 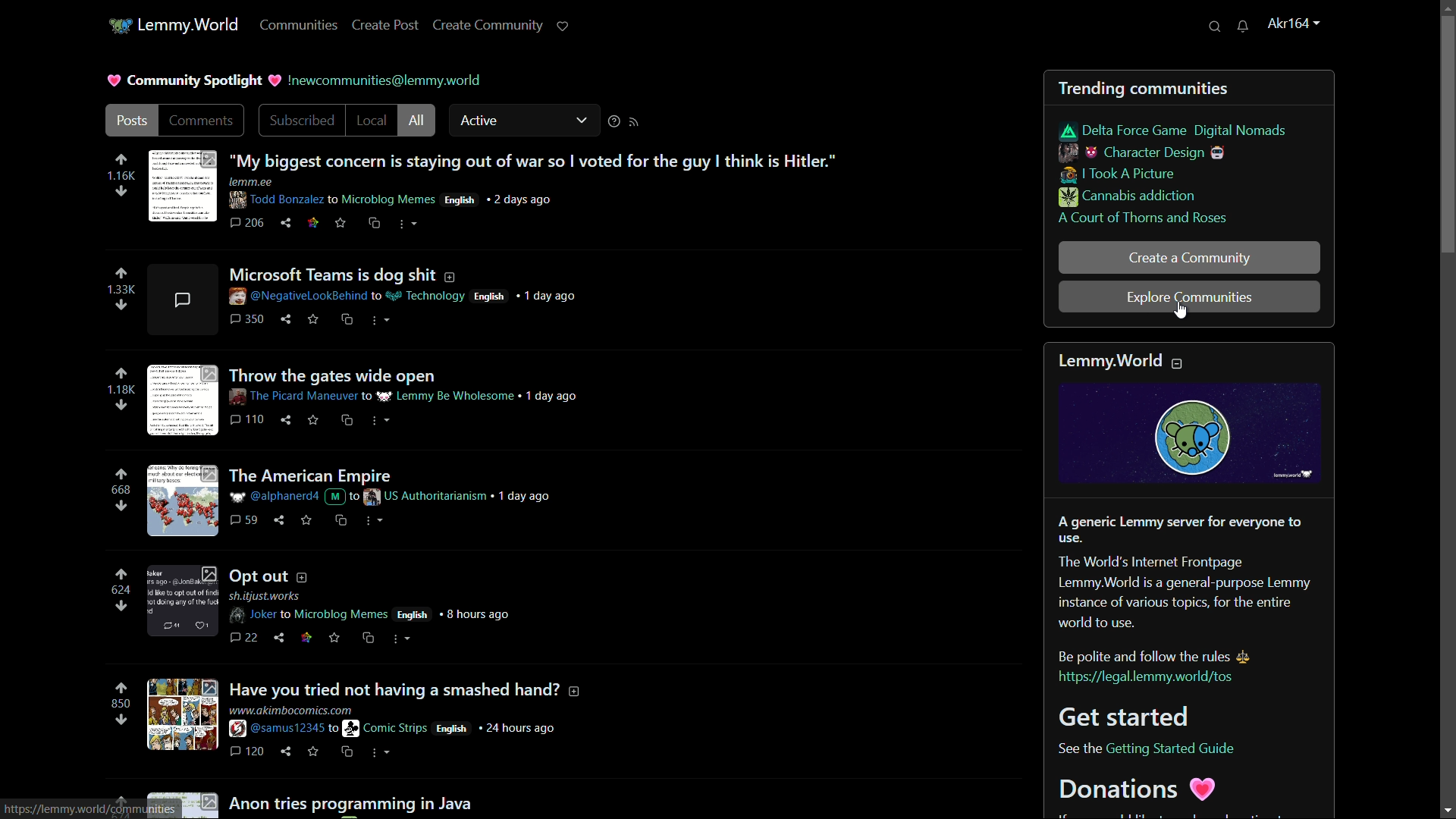 What do you see at coordinates (121, 689) in the screenshot?
I see `upvote` at bounding box center [121, 689].